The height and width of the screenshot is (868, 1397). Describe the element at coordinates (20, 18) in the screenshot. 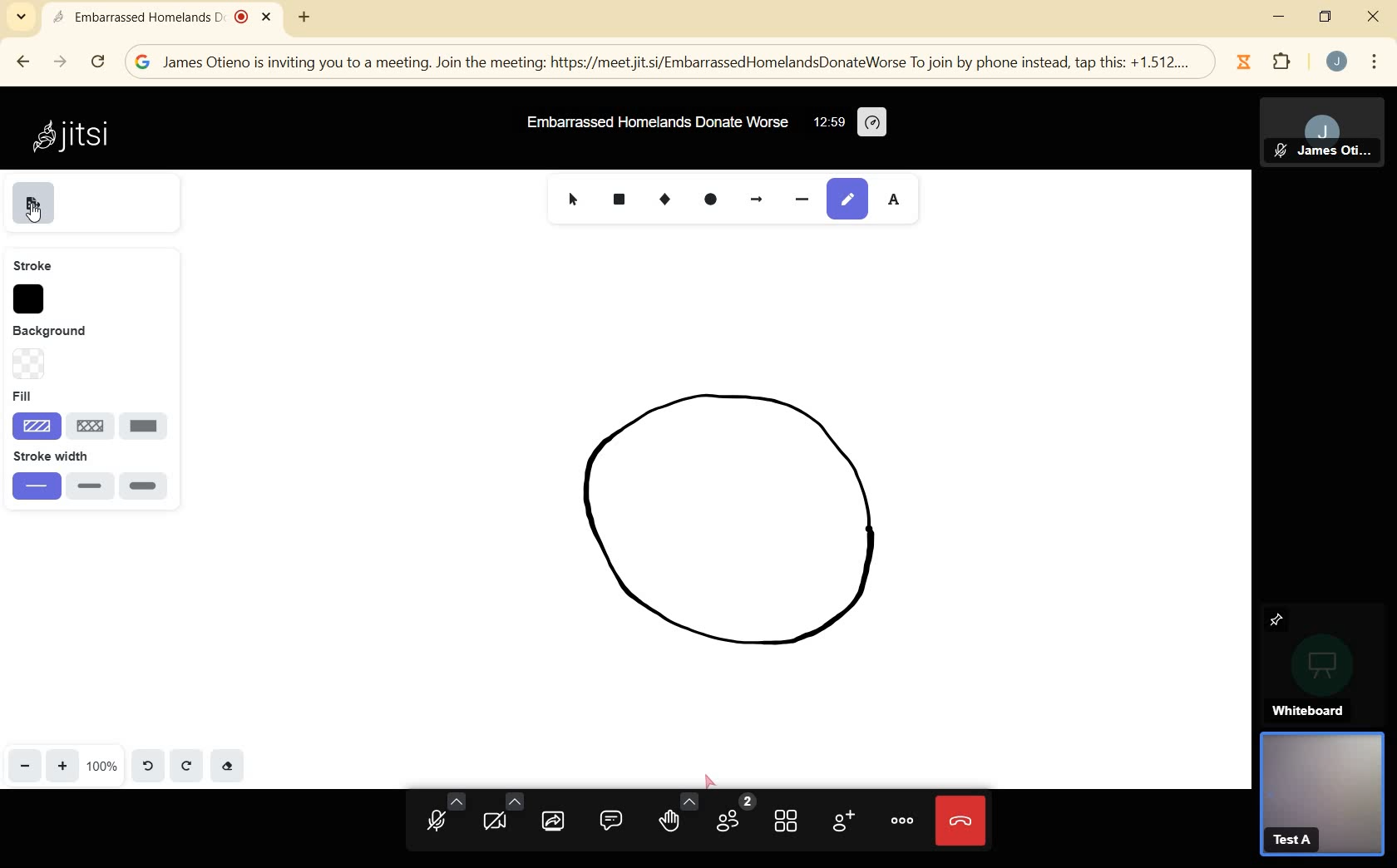

I see `SEARCH TABS` at that location.